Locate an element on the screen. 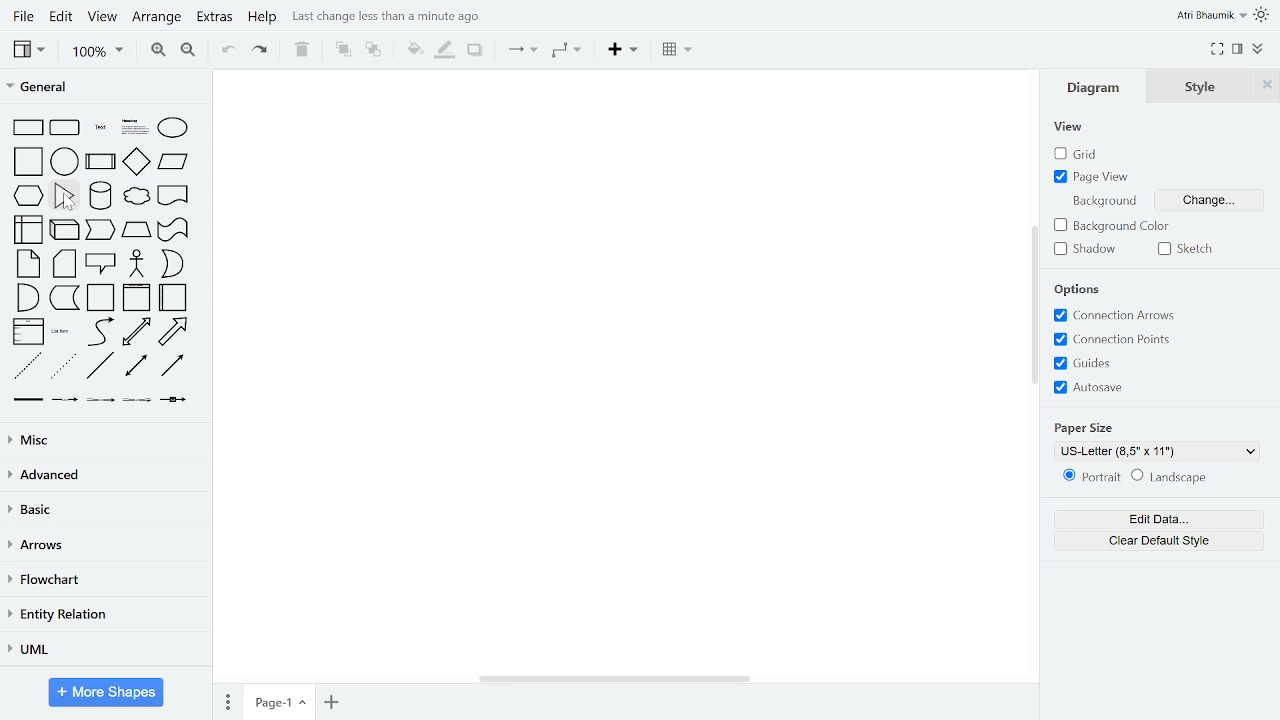 The image size is (1280, 720). to back is located at coordinates (372, 49).